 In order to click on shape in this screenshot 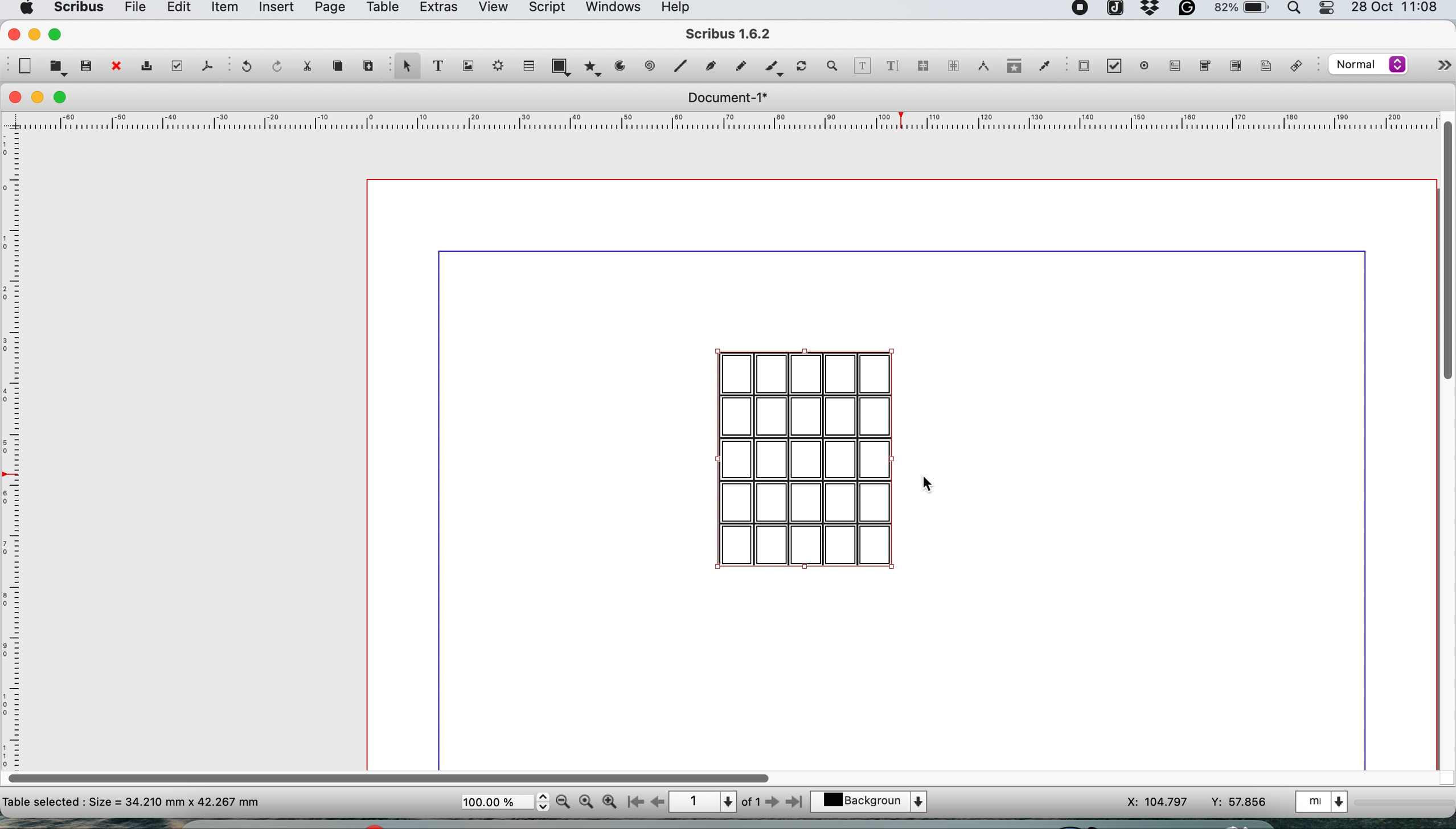, I will do `click(564, 66)`.